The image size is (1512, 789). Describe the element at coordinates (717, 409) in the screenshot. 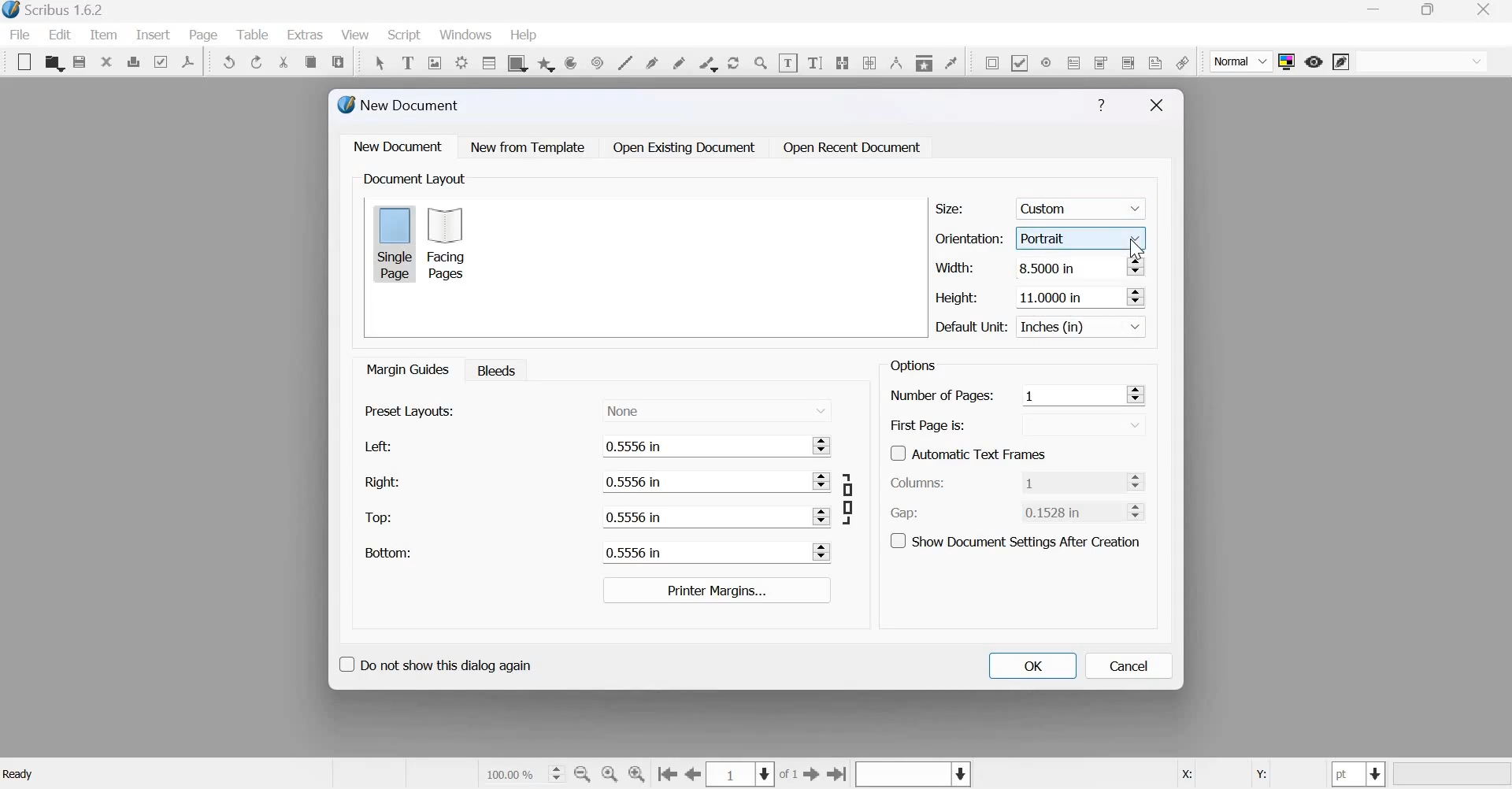

I see `None` at that location.